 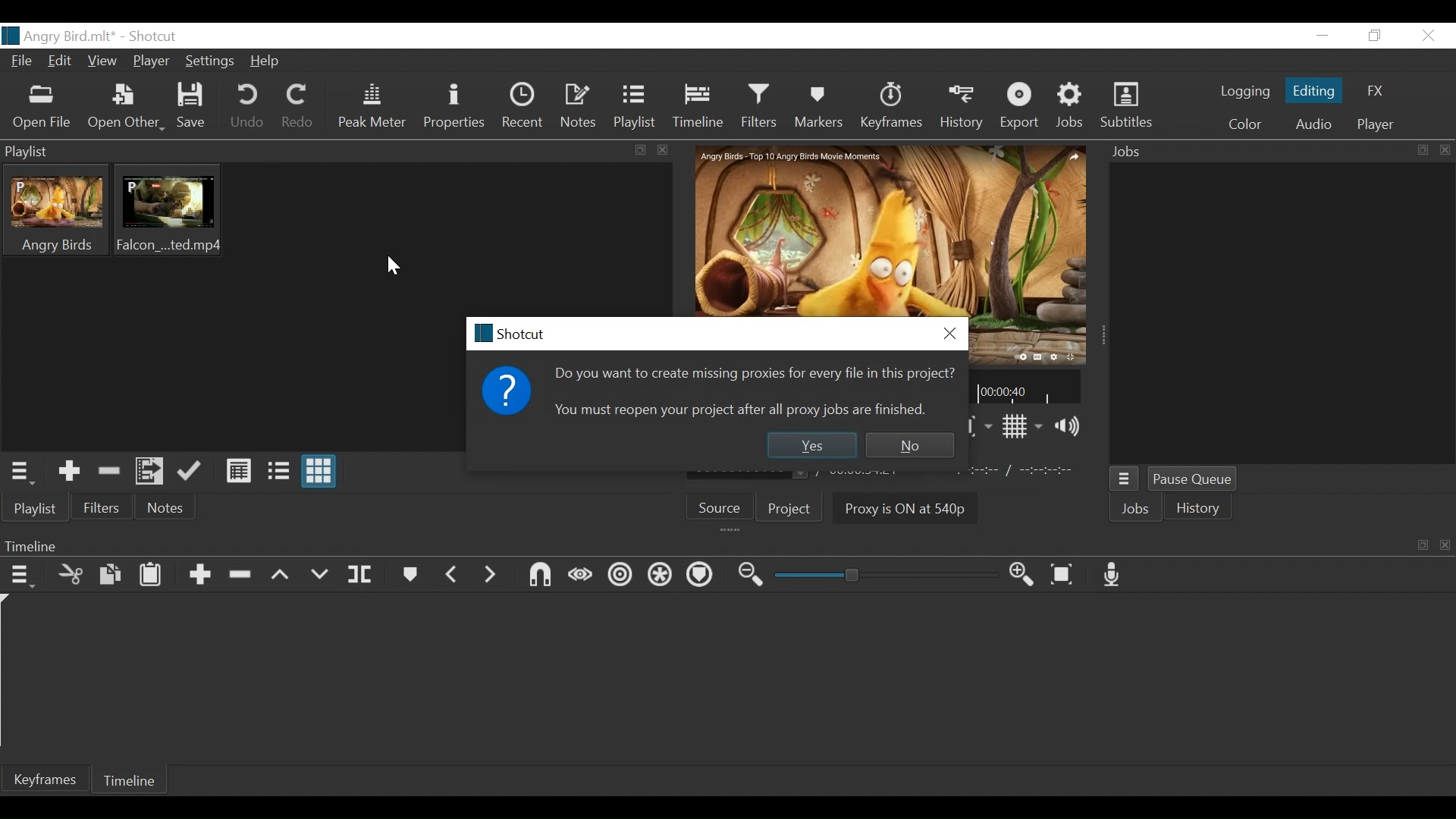 I want to click on Pause Queue, so click(x=1194, y=480).